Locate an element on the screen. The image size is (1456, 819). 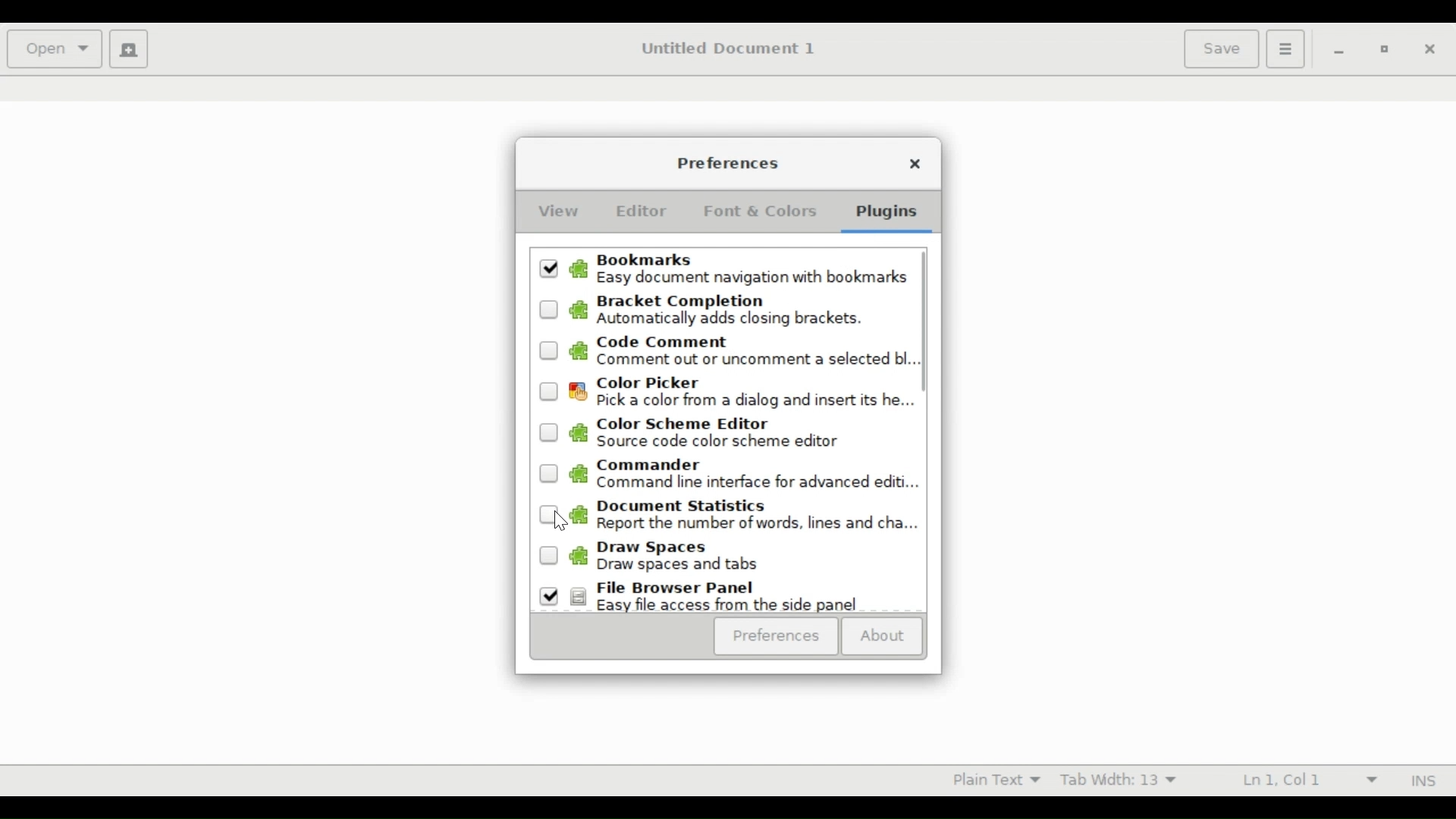
Unselected is located at coordinates (549, 555).